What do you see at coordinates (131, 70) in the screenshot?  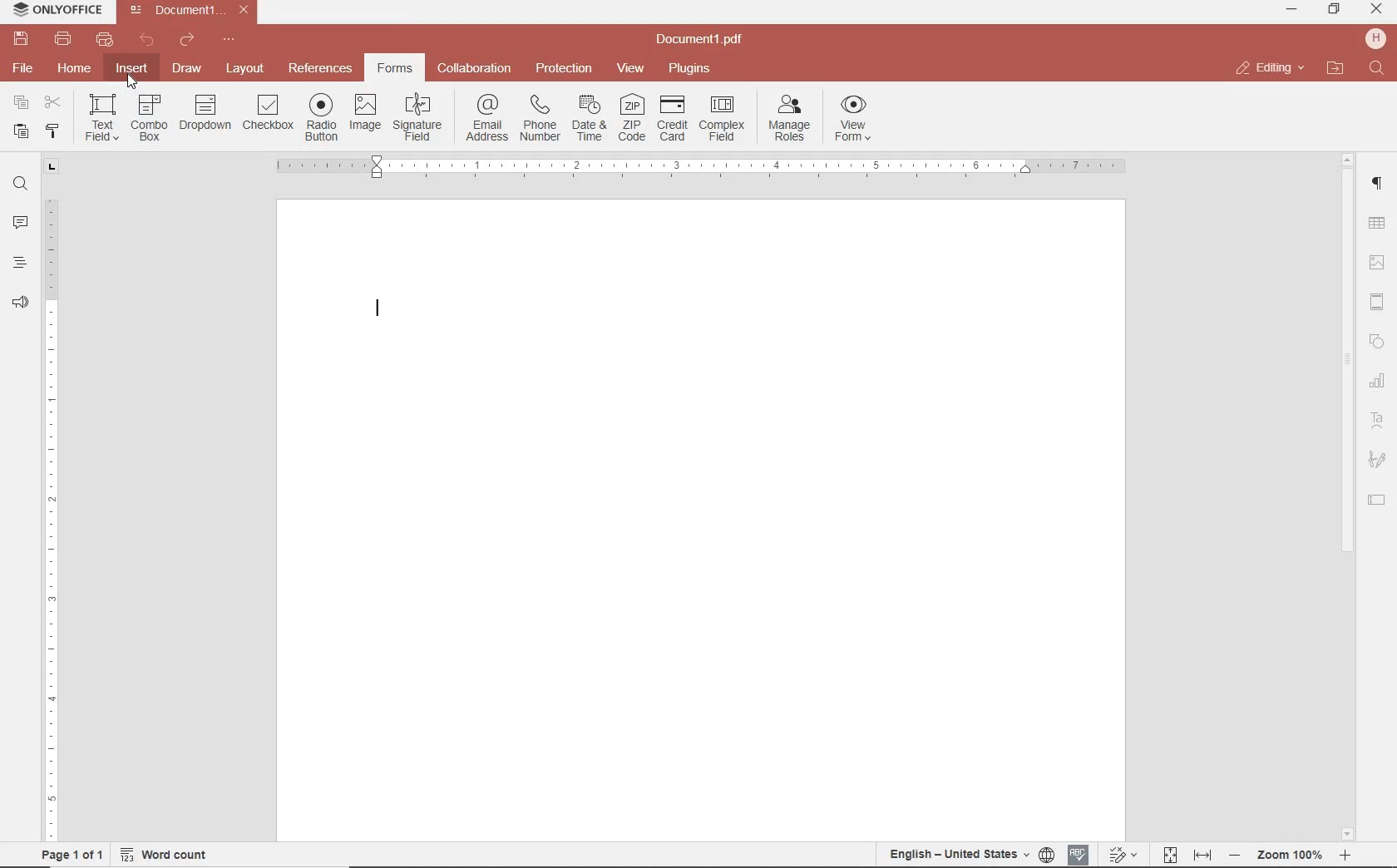 I see `insert` at bounding box center [131, 70].